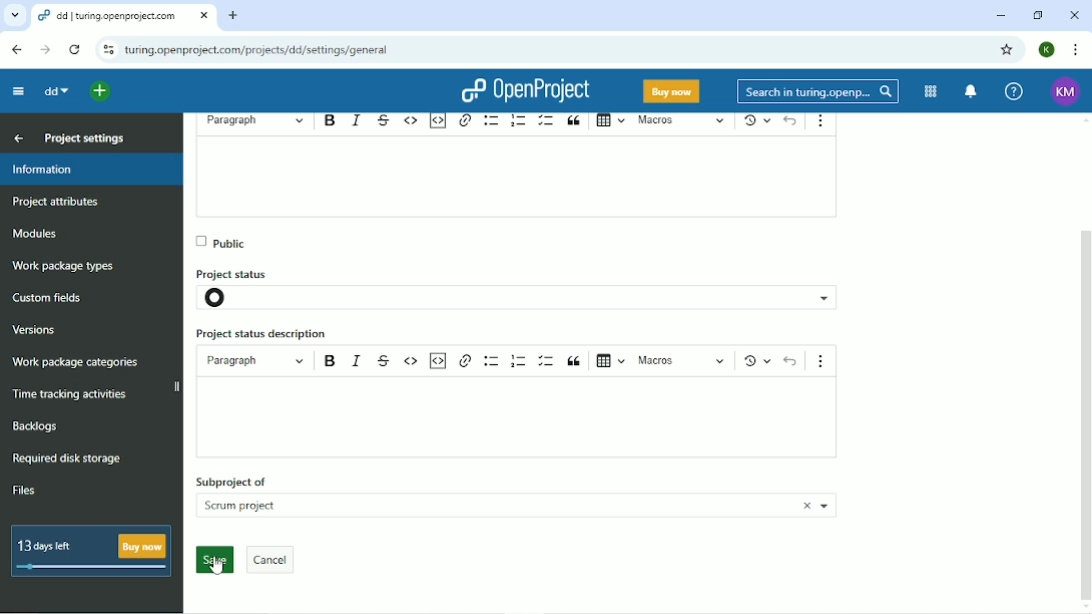 Image resolution: width=1092 pixels, height=614 pixels. I want to click on Italic, so click(357, 121).